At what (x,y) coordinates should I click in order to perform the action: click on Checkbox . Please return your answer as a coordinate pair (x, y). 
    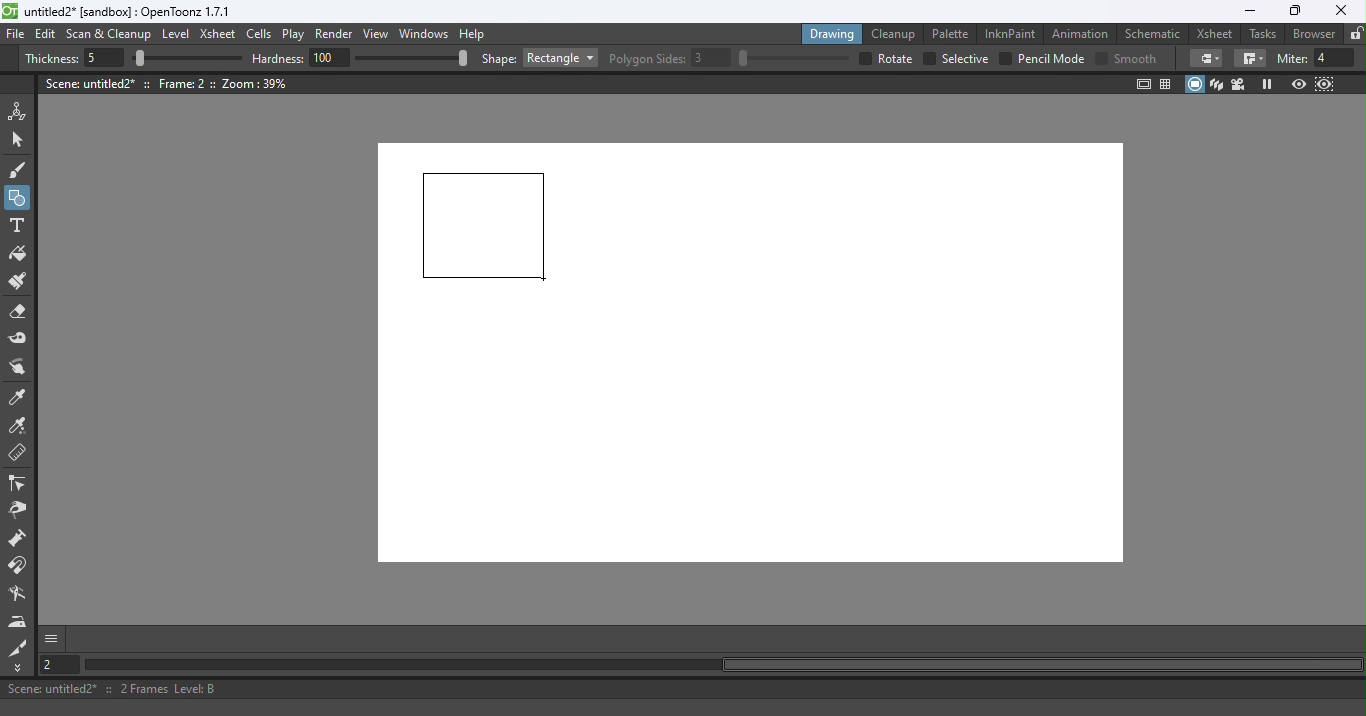
    Looking at the image, I should click on (1101, 57).